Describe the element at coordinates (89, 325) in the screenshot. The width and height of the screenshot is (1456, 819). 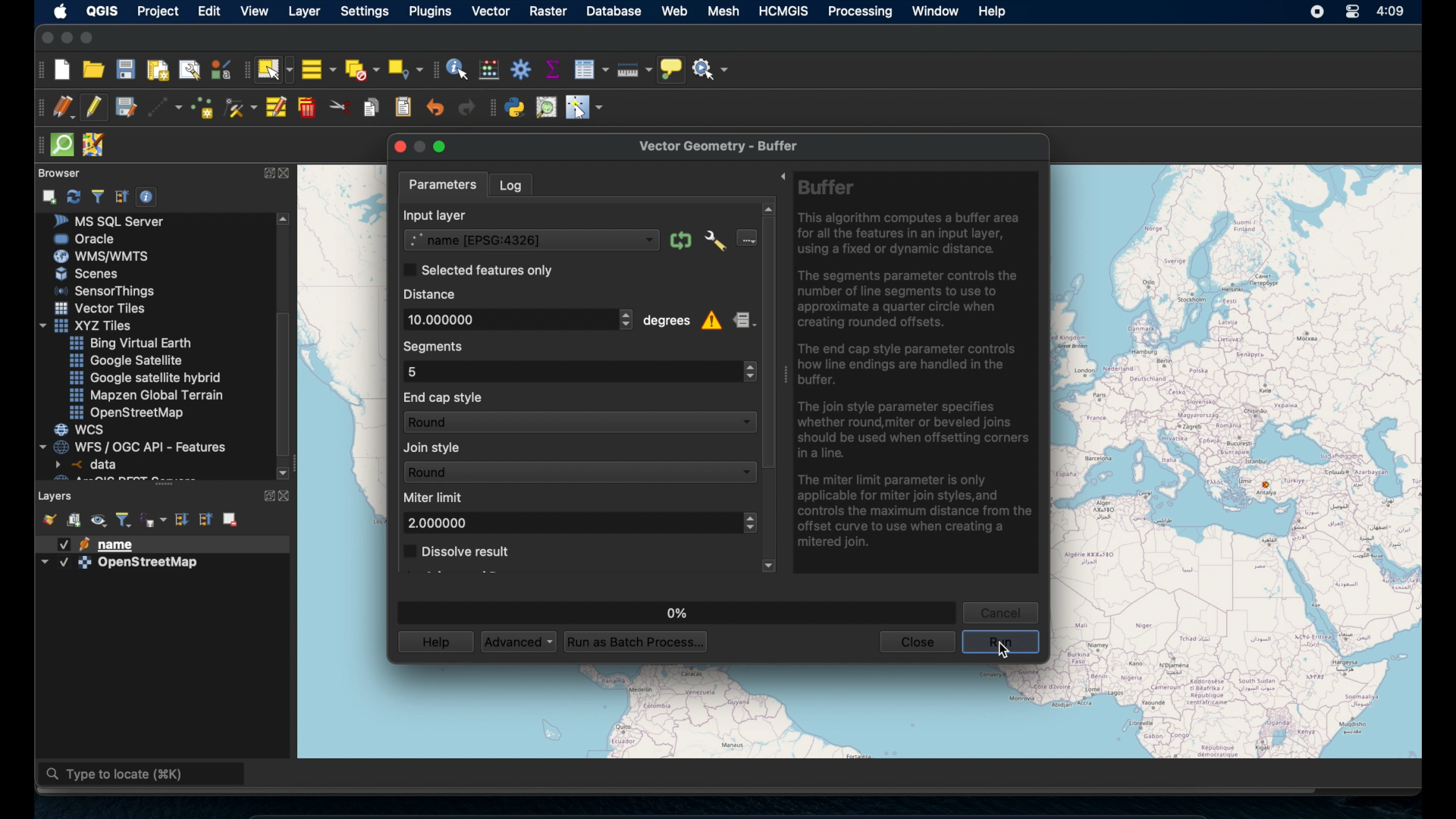
I see `xyz tiles menu` at that location.